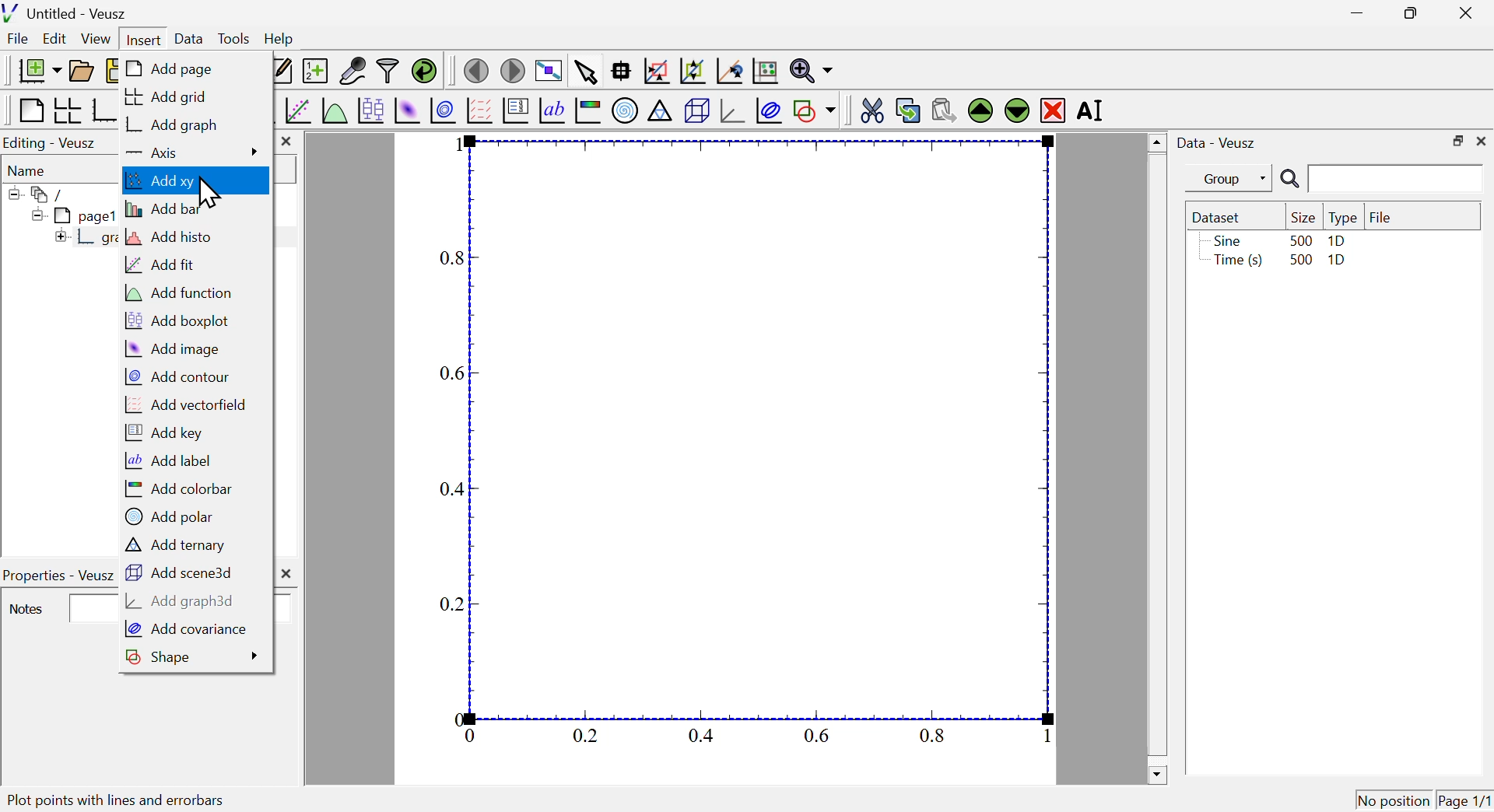 The height and width of the screenshot is (812, 1494). Describe the element at coordinates (622, 72) in the screenshot. I see `read data points on the graph` at that location.